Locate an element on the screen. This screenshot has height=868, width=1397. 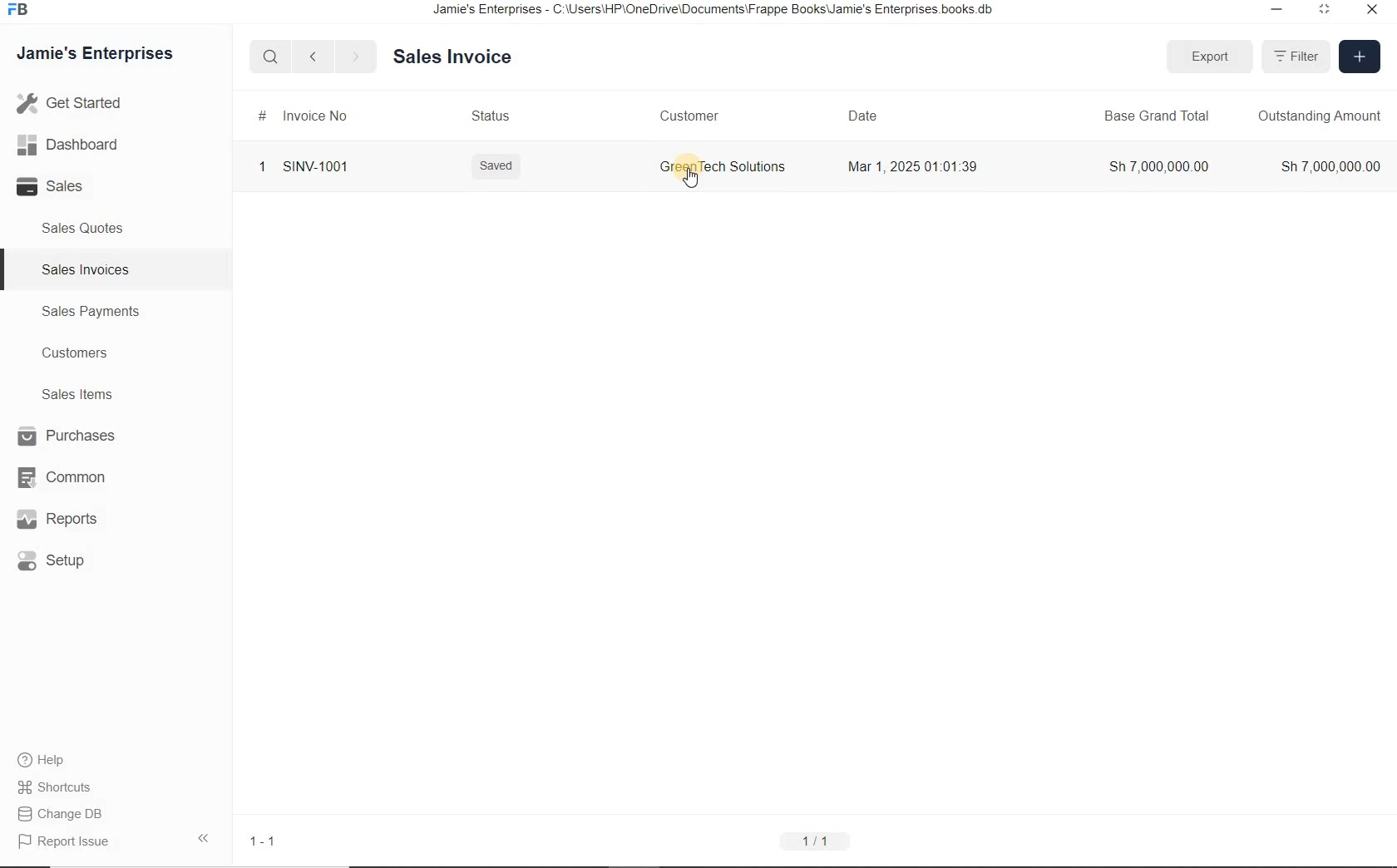
Change DB is located at coordinates (62, 813).